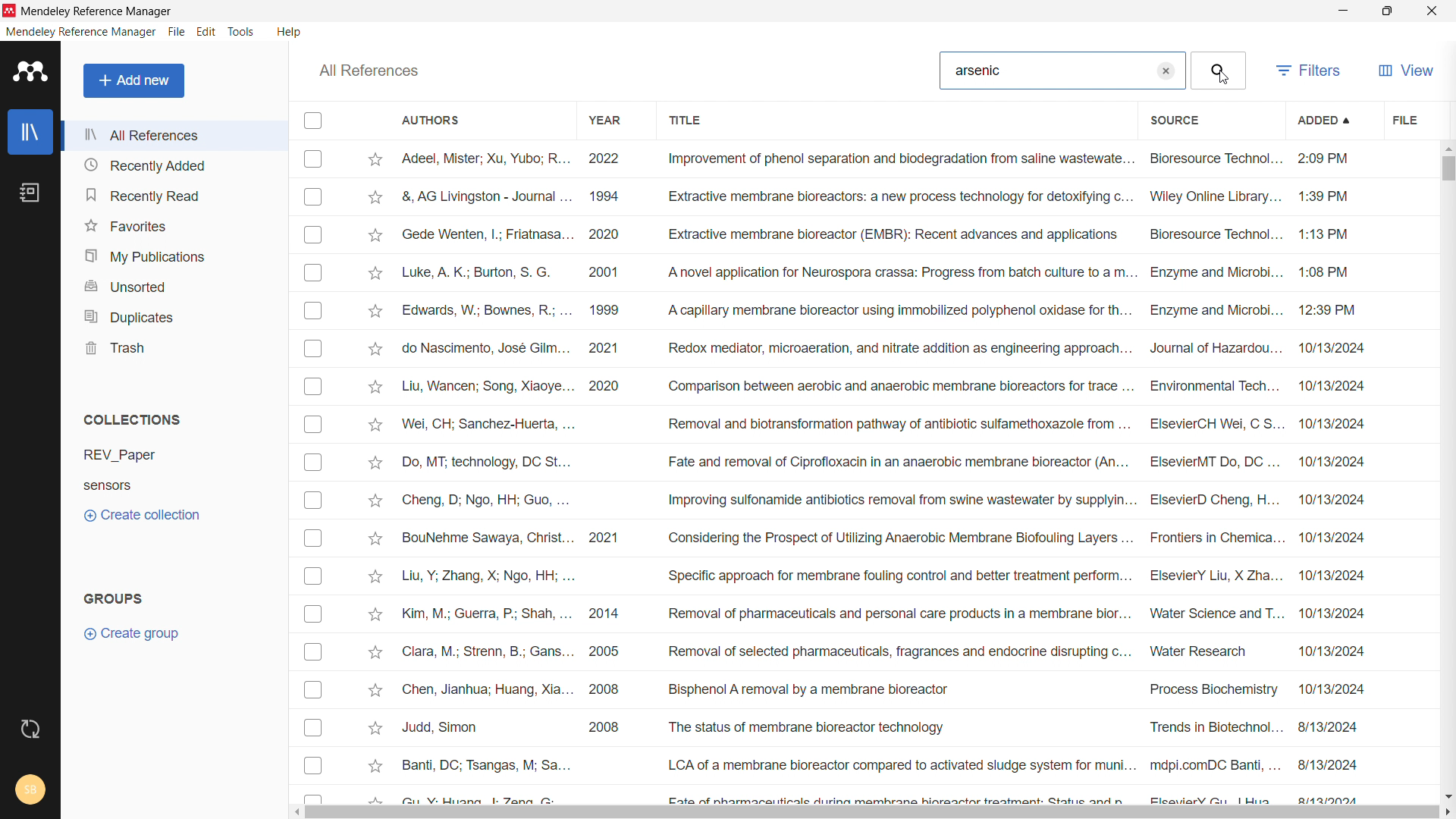 The image size is (1456, 819). I want to click on Add to favorites, so click(373, 385).